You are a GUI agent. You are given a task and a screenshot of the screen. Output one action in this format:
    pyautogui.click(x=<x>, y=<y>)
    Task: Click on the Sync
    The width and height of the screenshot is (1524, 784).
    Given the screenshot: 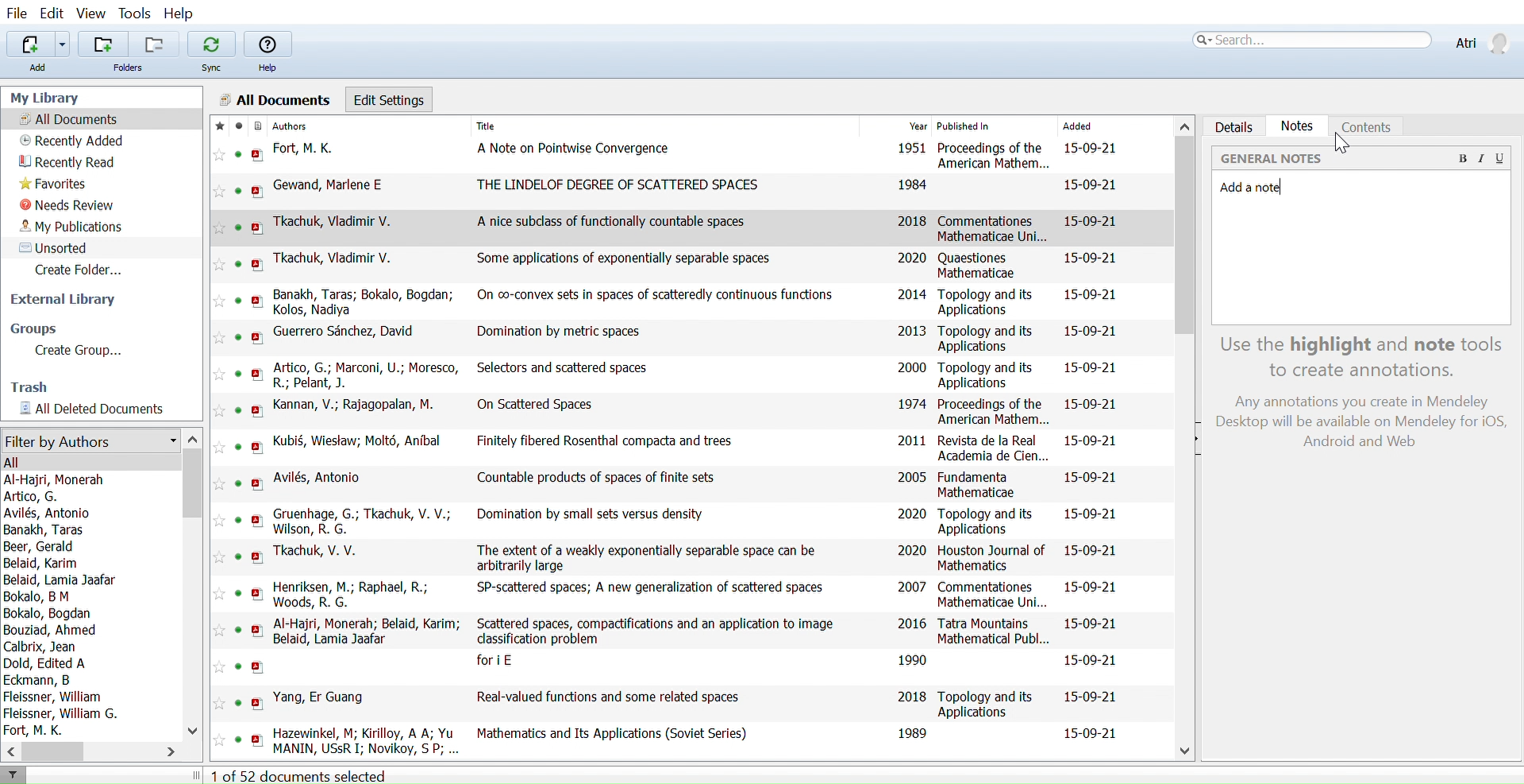 What is the action you would take?
    pyautogui.click(x=211, y=44)
    